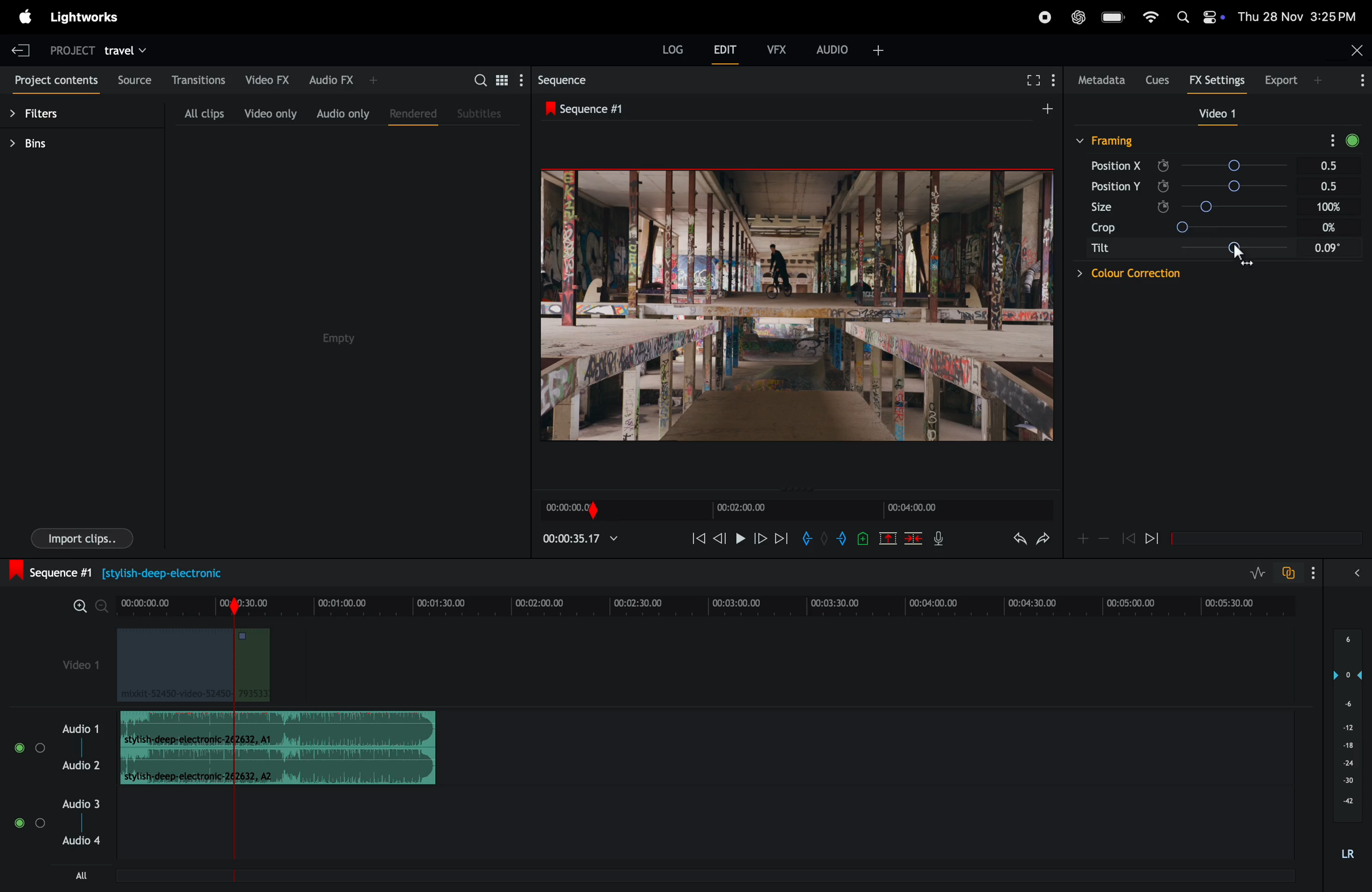  Describe the element at coordinates (1117, 141) in the screenshot. I see `framing` at that location.